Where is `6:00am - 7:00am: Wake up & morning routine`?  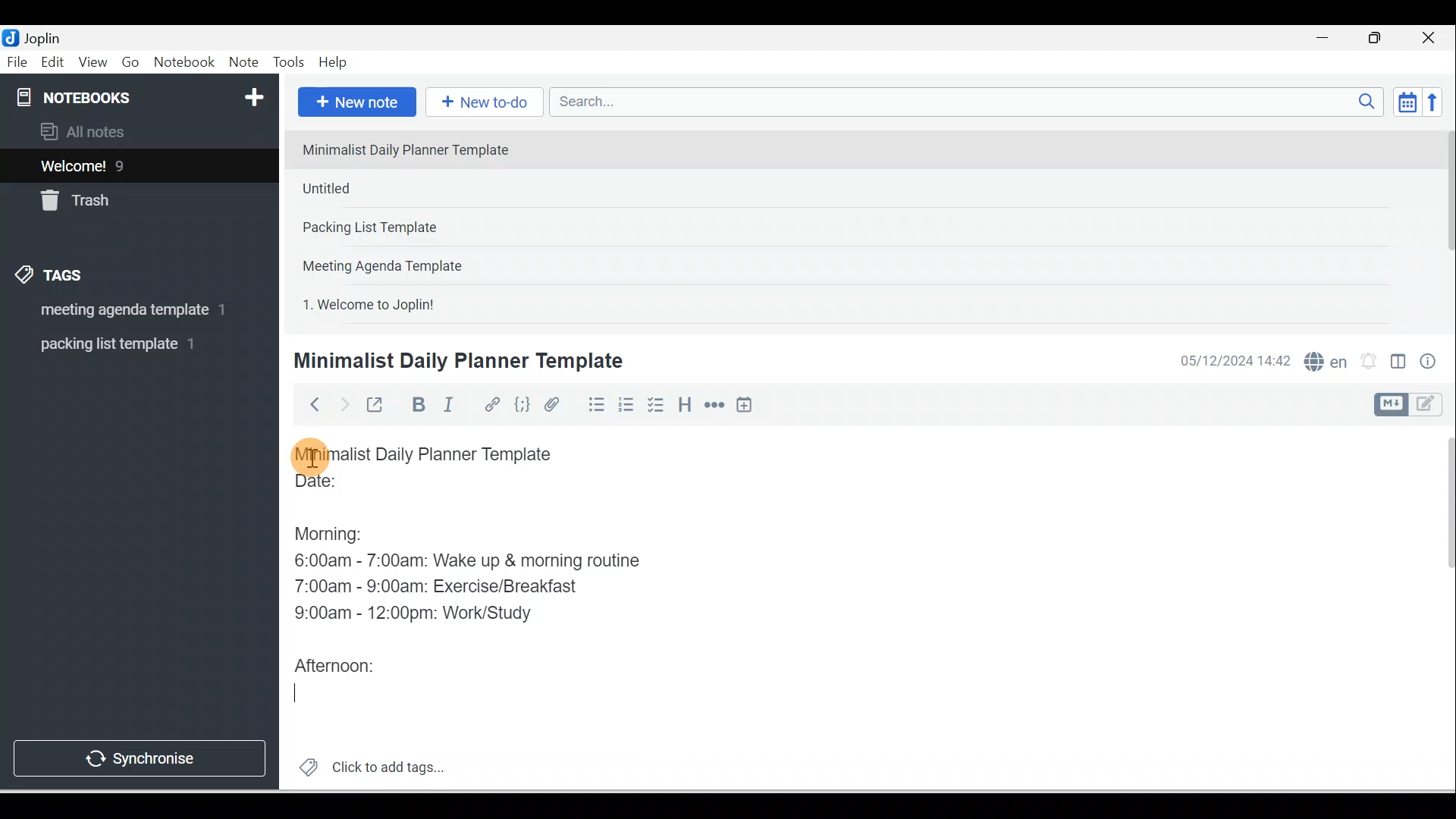
6:00am - 7:00am: Wake up & morning routine is located at coordinates (472, 560).